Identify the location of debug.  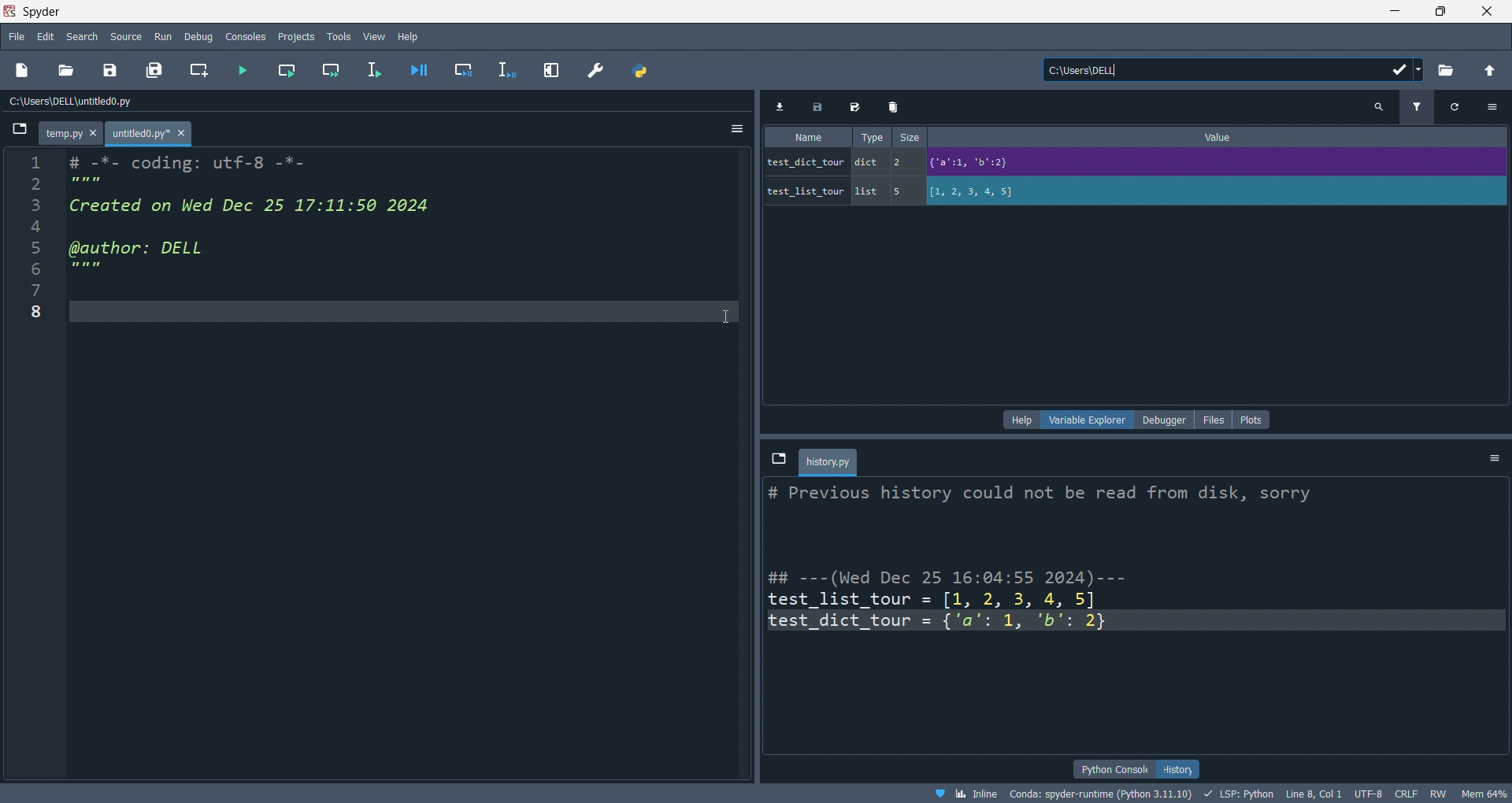
(201, 36).